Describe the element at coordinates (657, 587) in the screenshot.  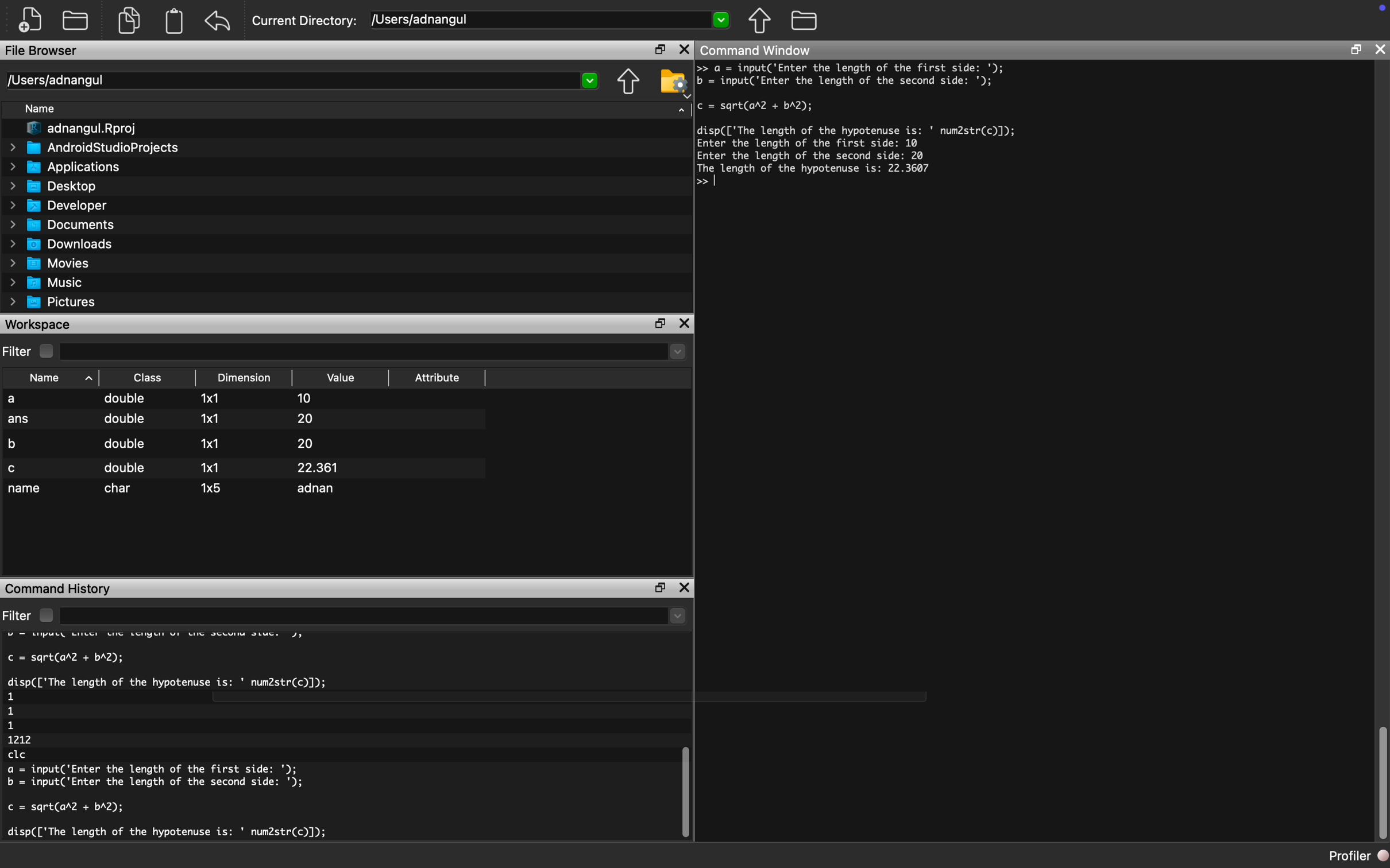
I see `restore down` at that location.